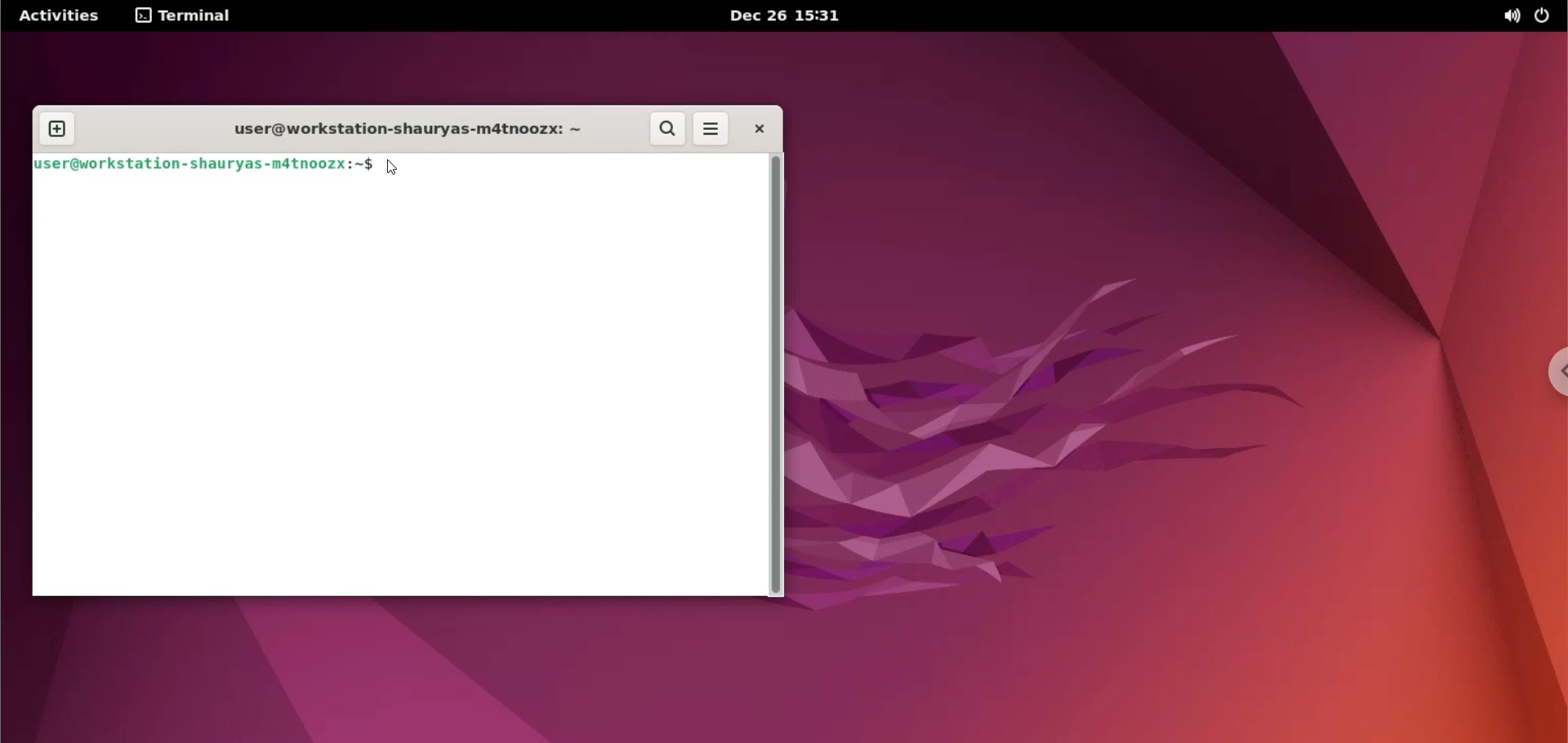  I want to click on chrome options, so click(1553, 370).